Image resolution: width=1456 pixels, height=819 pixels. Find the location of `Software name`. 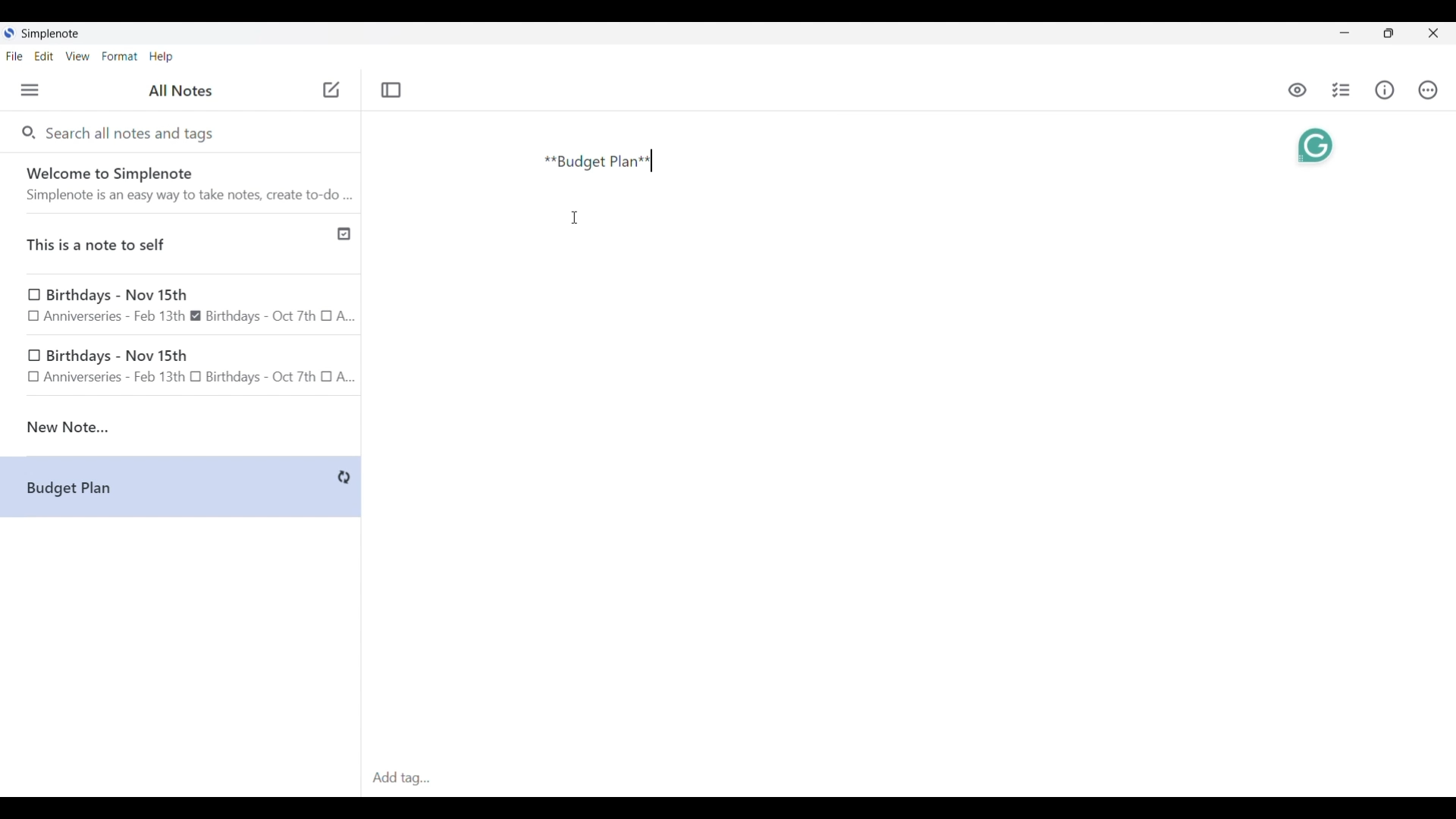

Software name is located at coordinates (52, 34).